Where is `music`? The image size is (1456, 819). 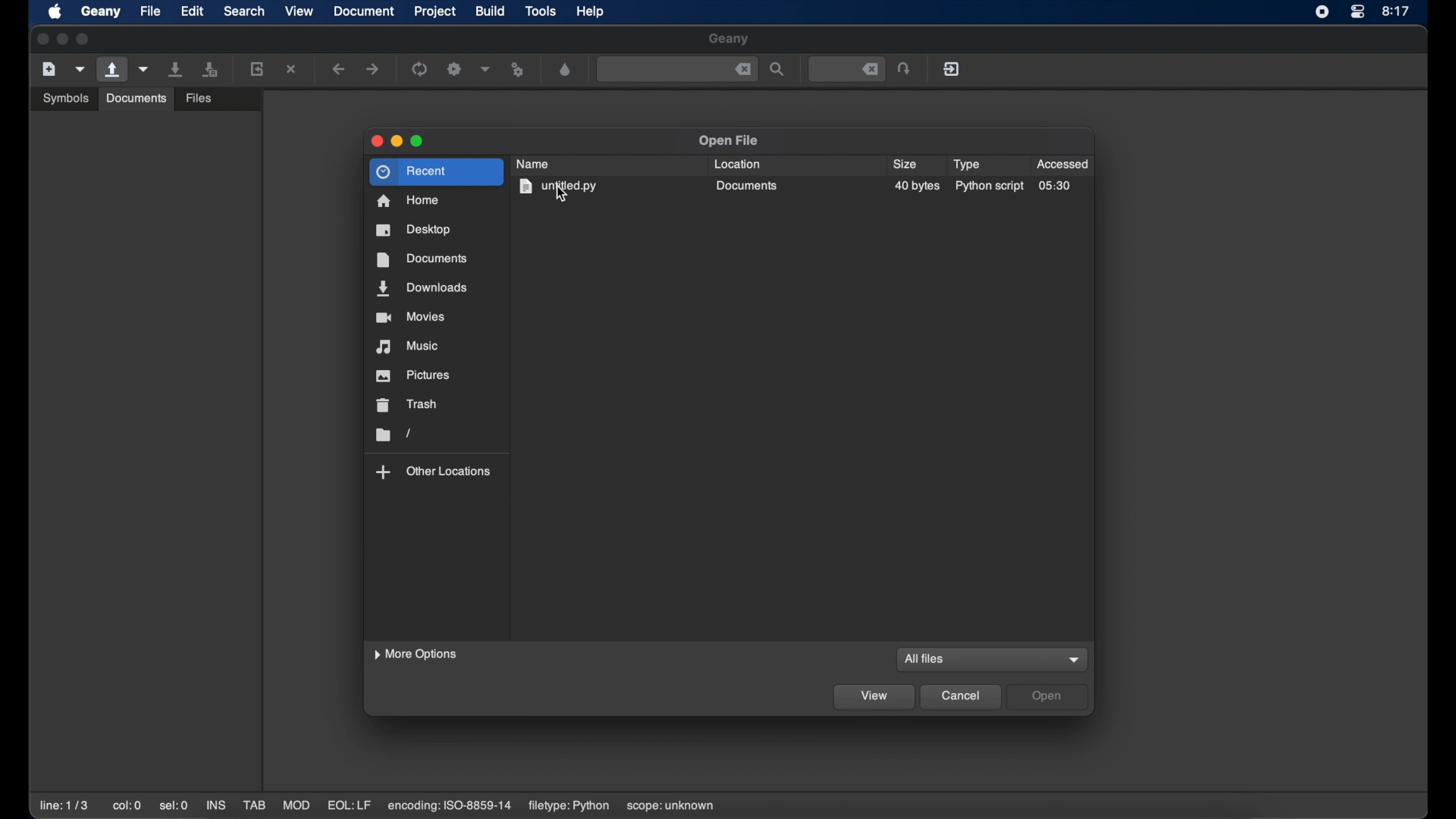
music is located at coordinates (406, 347).